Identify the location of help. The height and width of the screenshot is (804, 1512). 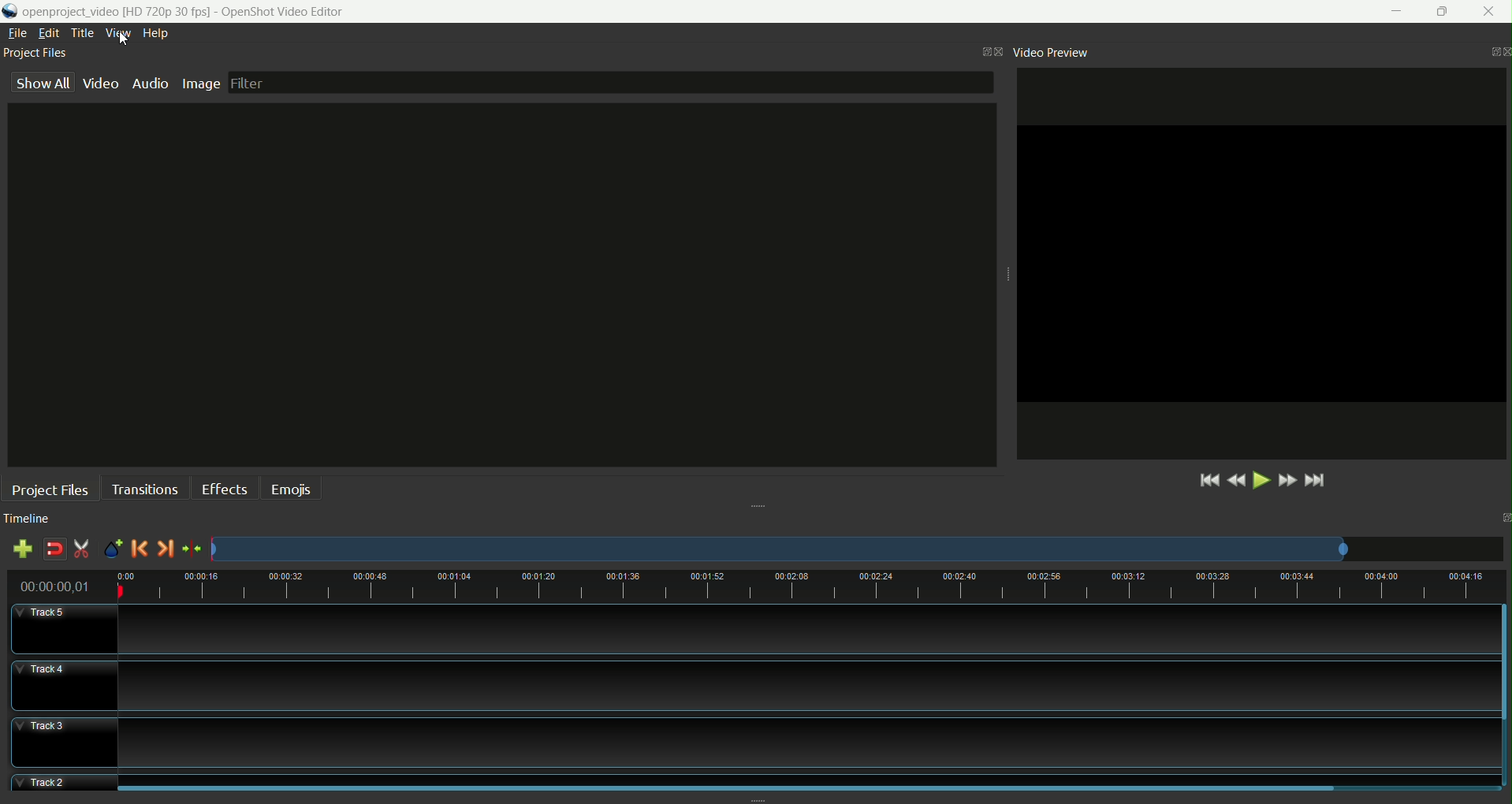
(158, 34).